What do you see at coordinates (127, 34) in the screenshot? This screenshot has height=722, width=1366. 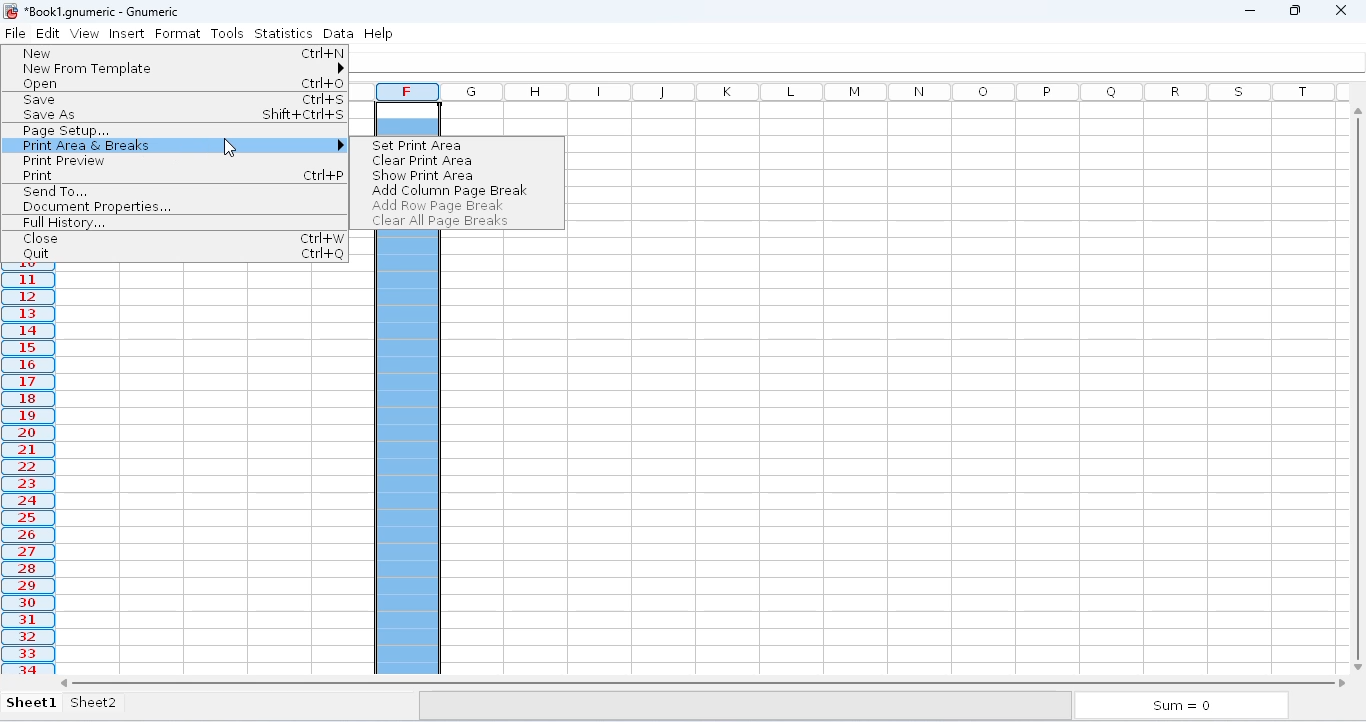 I see `insert` at bounding box center [127, 34].